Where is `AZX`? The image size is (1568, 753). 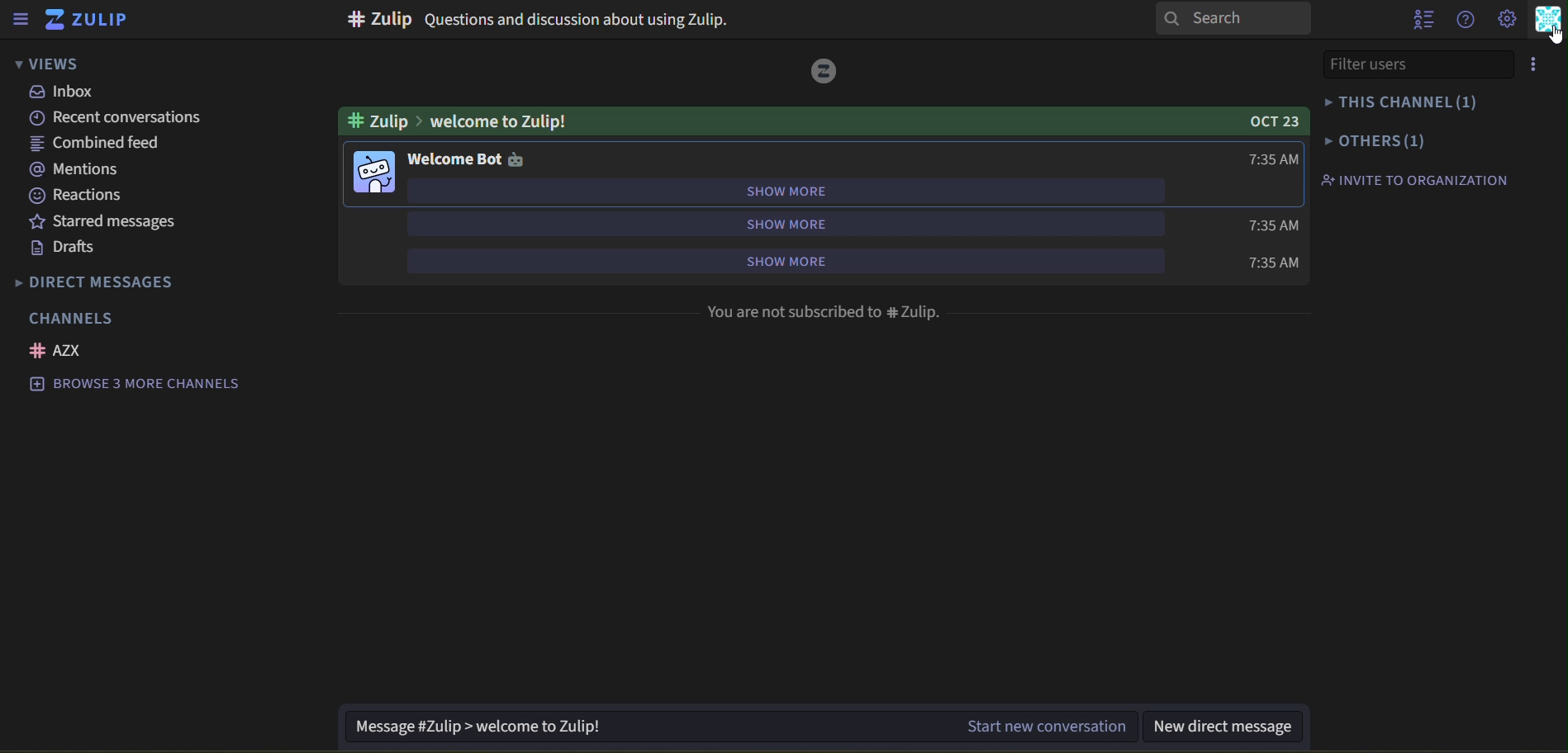 AZX is located at coordinates (59, 351).